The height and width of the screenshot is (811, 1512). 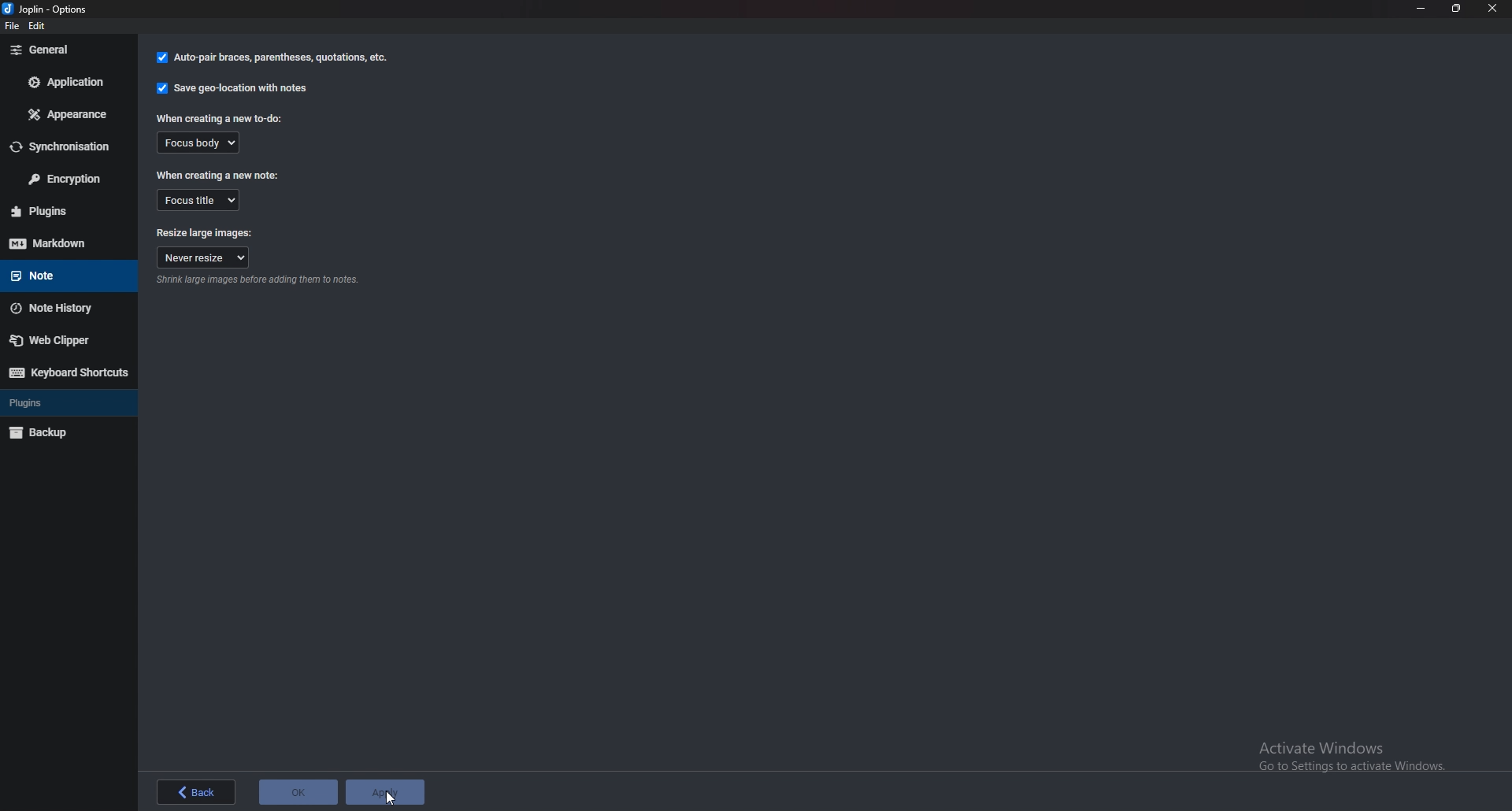 I want to click on Application, so click(x=66, y=82).